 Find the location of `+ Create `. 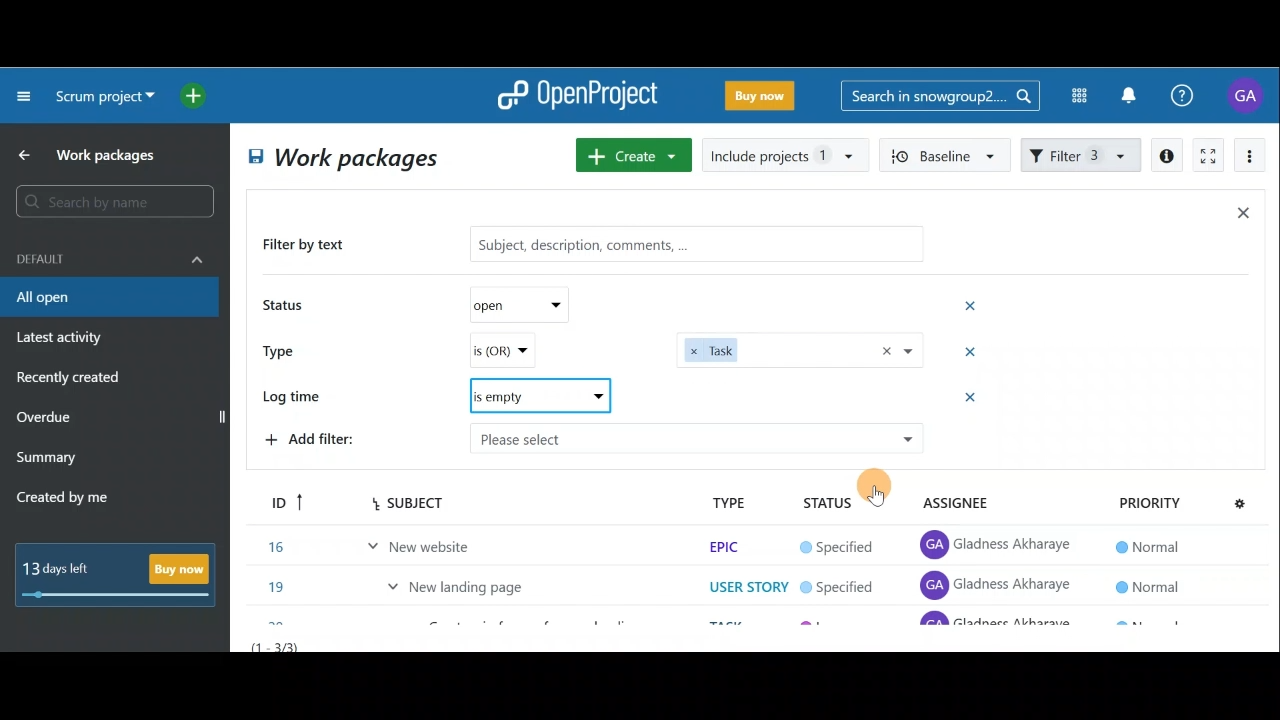

+ Create  is located at coordinates (635, 157).